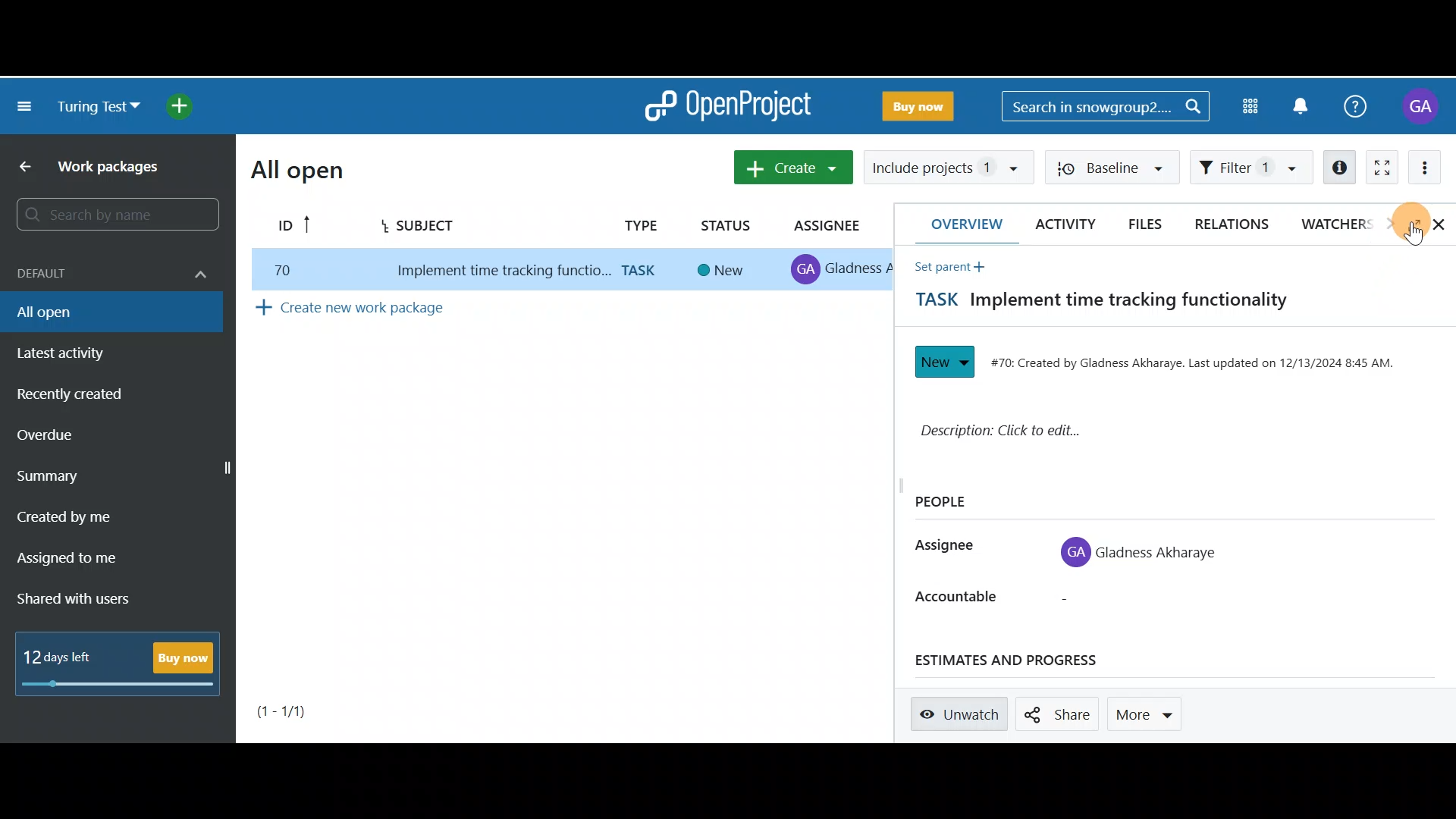  What do you see at coordinates (283, 709) in the screenshot?
I see `(1-1)/1` at bounding box center [283, 709].